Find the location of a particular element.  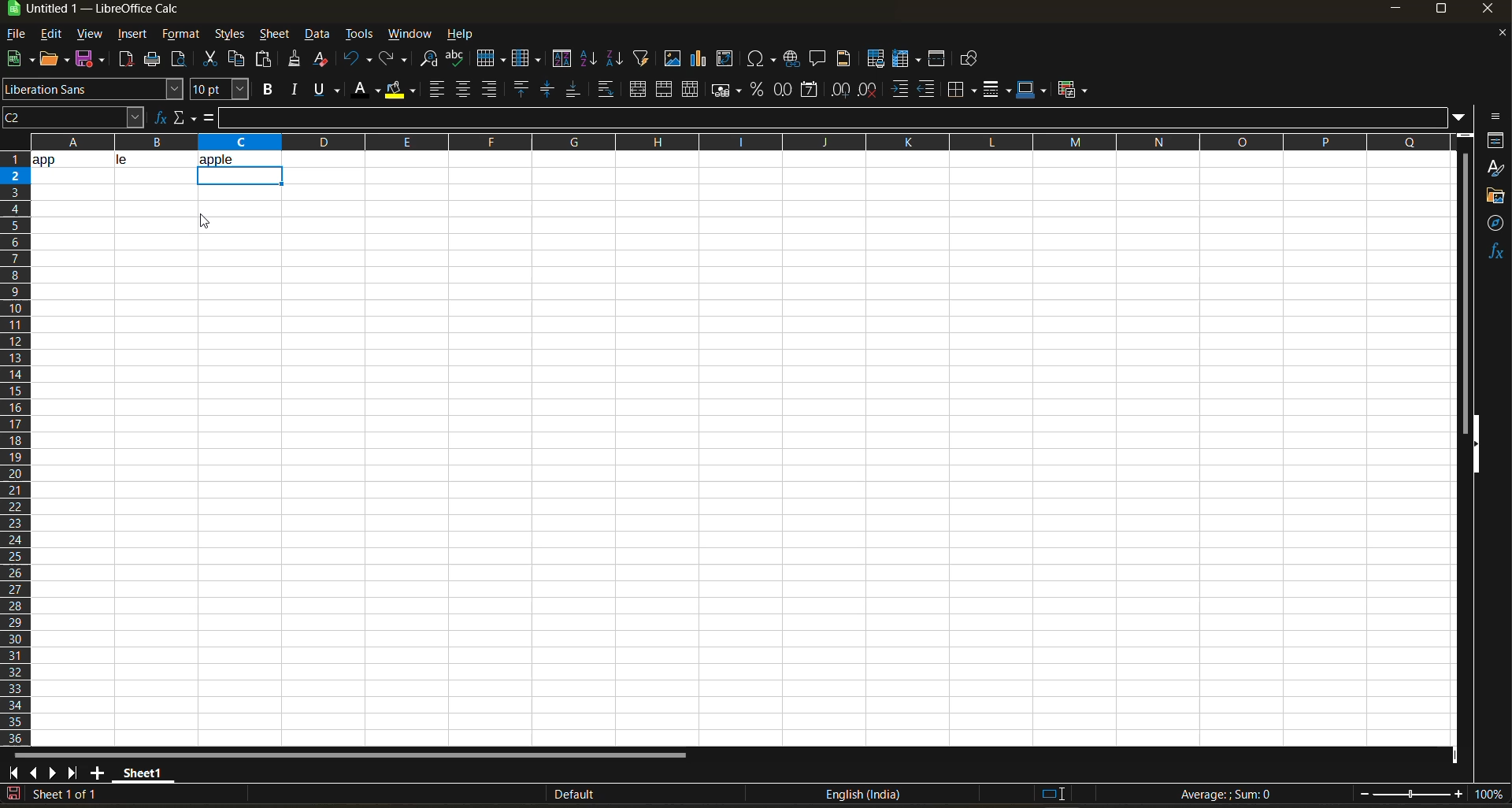

format is located at coordinates (182, 36).